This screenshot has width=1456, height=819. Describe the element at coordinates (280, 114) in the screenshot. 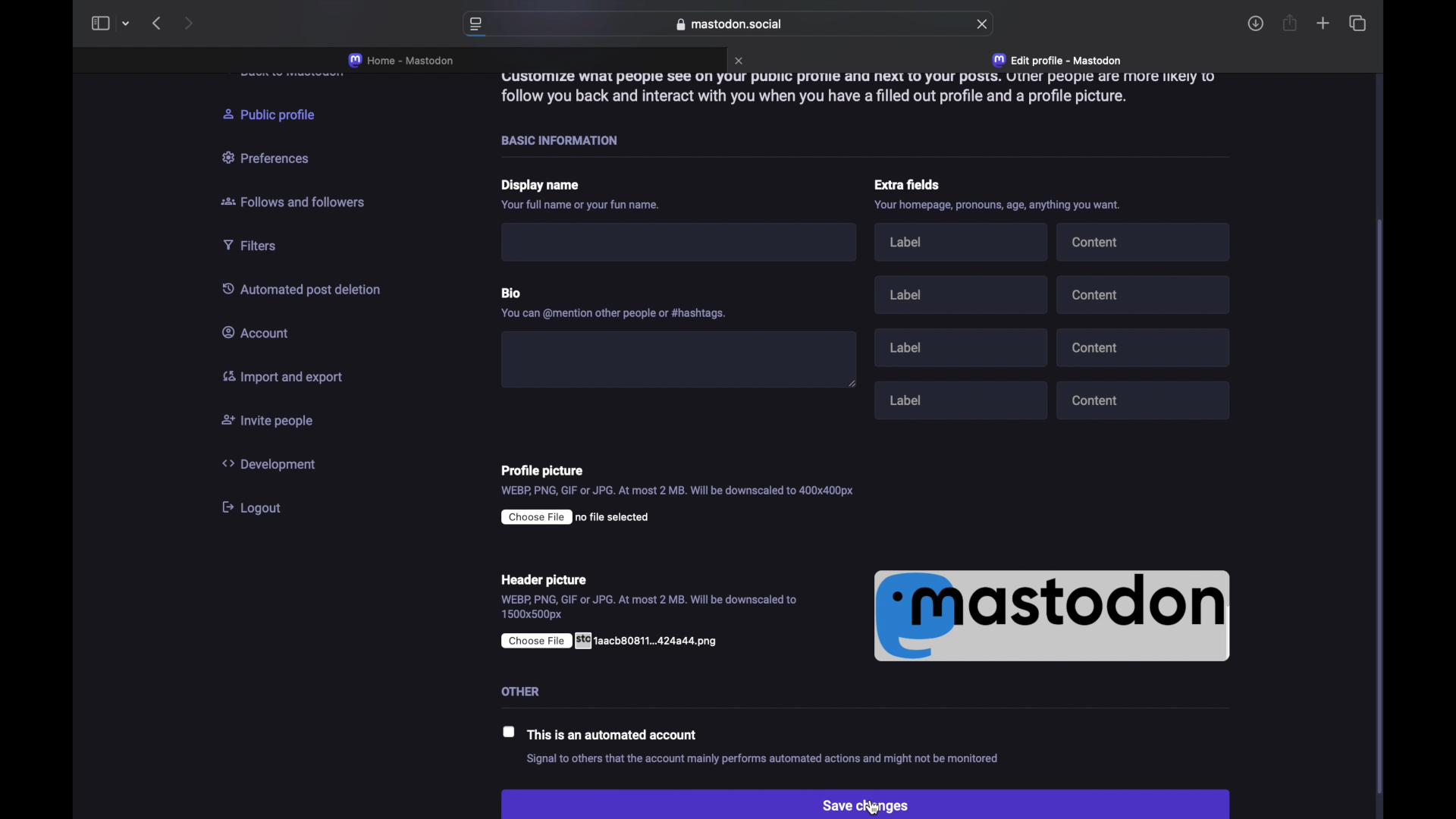

I see `& Public profile` at that location.